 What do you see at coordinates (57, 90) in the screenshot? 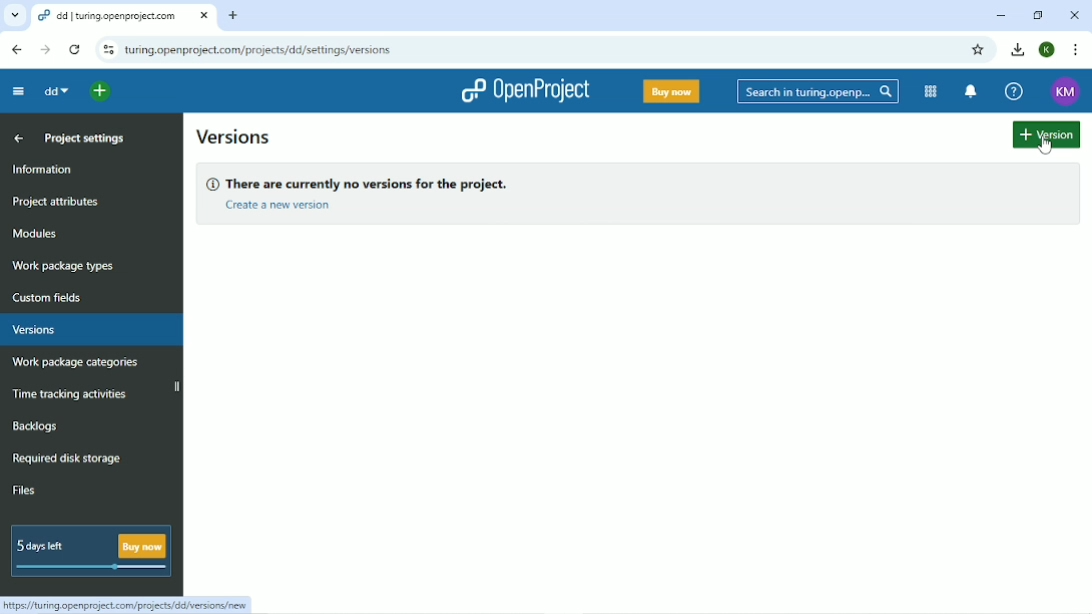
I see `dd` at bounding box center [57, 90].